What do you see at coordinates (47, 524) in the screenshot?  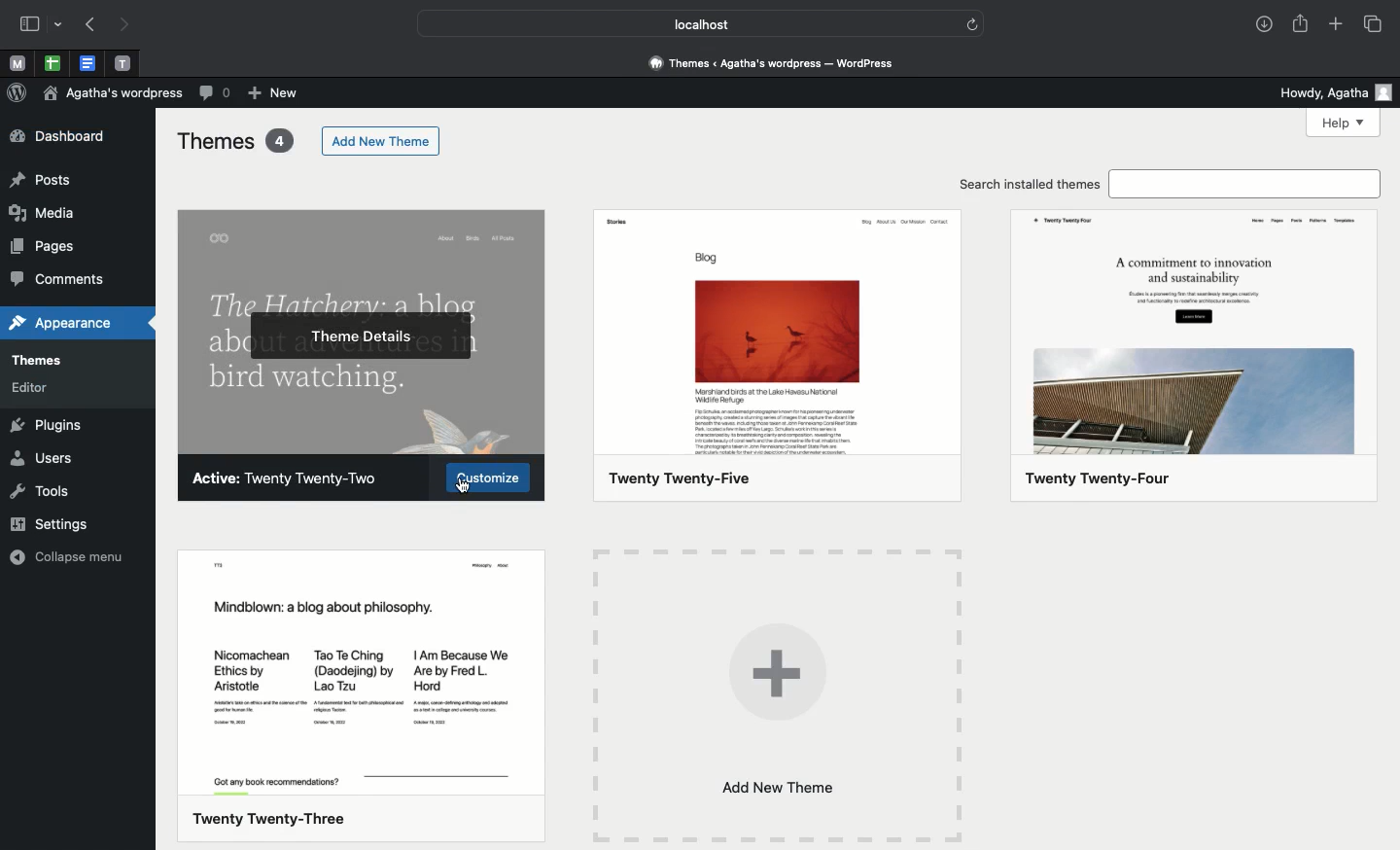 I see `Settings` at bounding box center [47, 524].